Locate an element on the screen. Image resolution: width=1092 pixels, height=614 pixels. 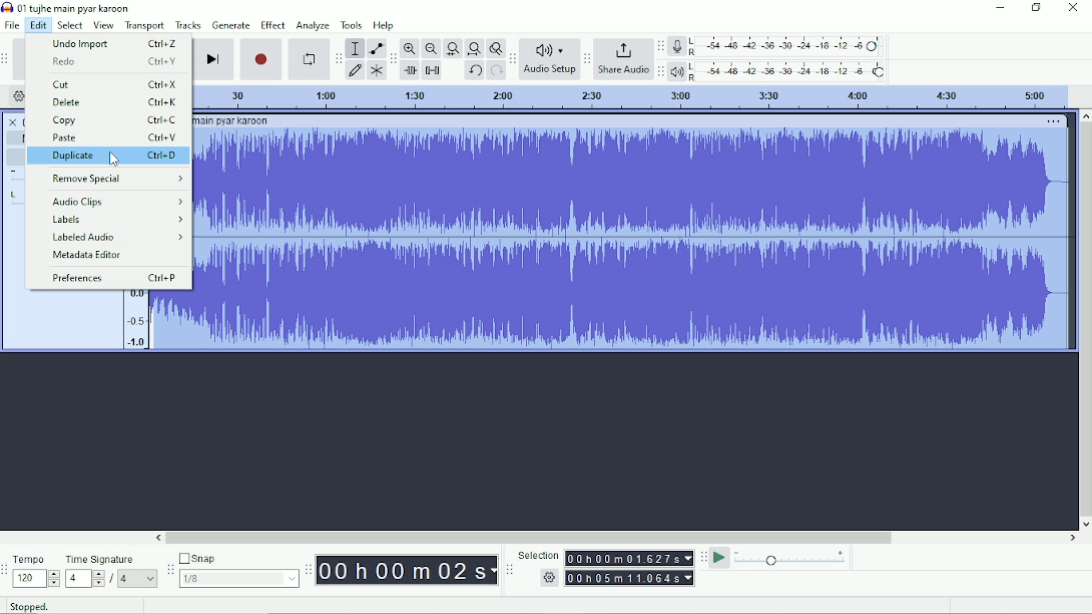
File is located at coordinates (12, 25).